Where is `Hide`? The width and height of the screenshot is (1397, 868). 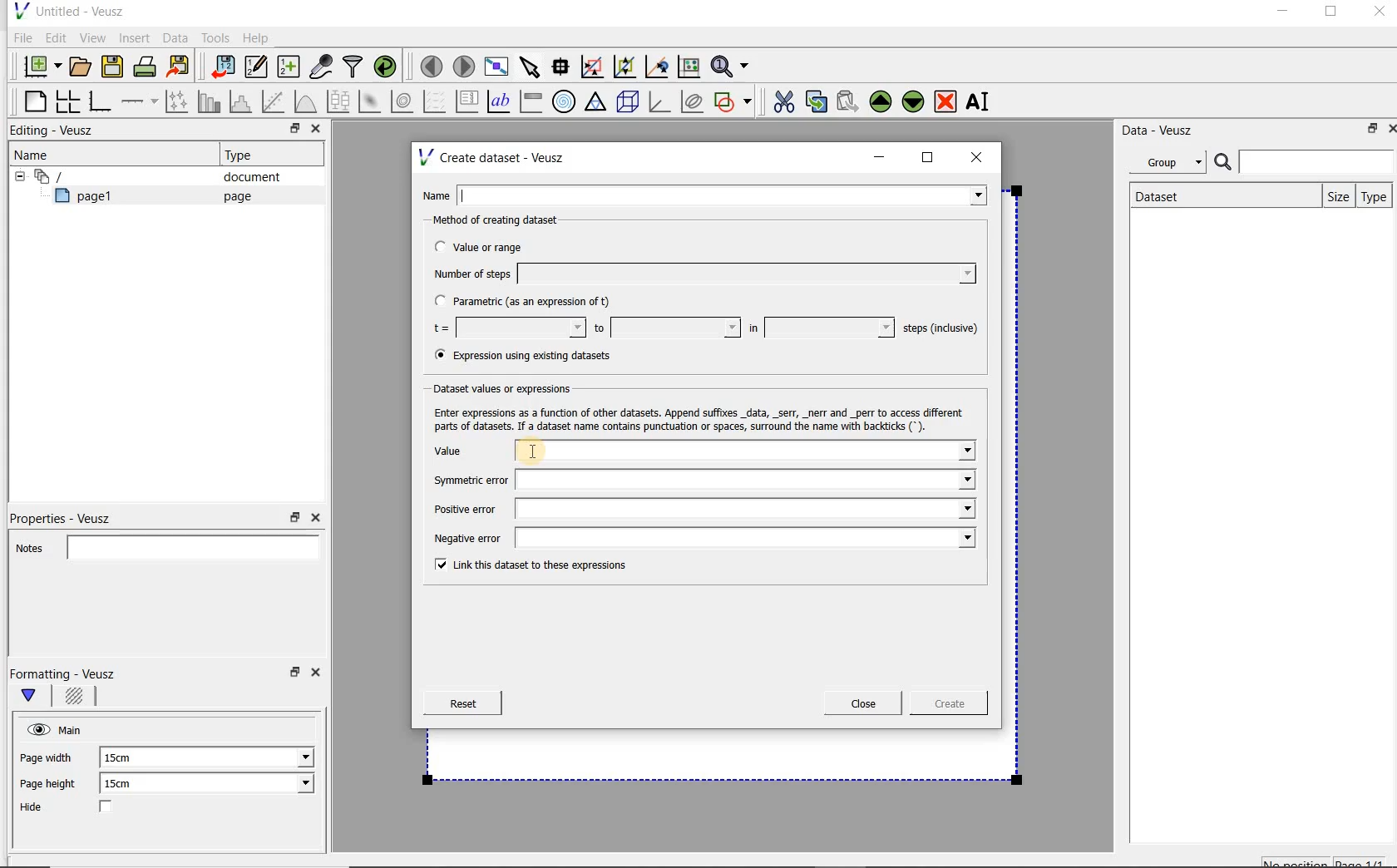
Hide is located at coordinates (82, 808).